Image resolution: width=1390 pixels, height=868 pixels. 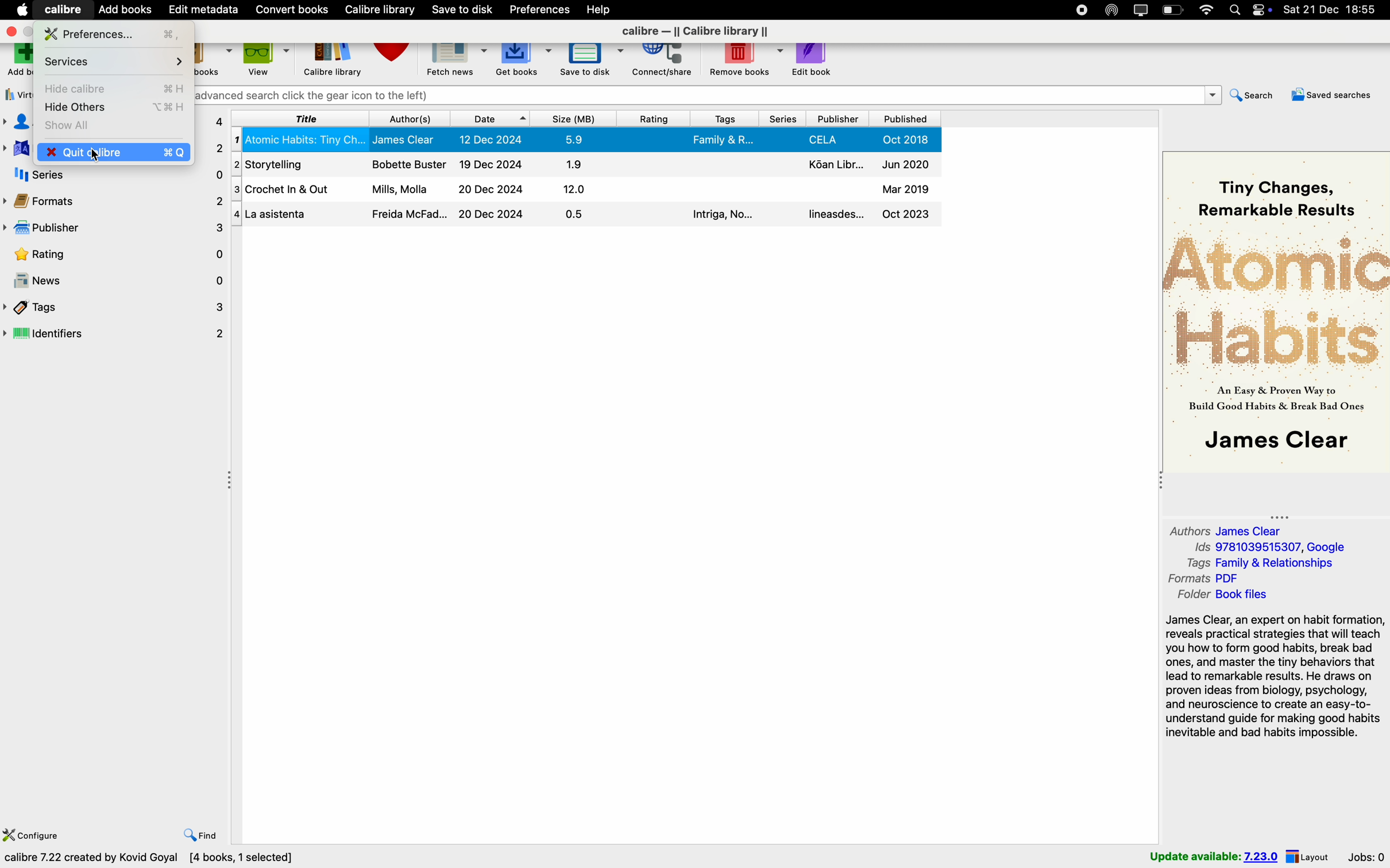 I want to click on rating, so click(x=654, y=119).